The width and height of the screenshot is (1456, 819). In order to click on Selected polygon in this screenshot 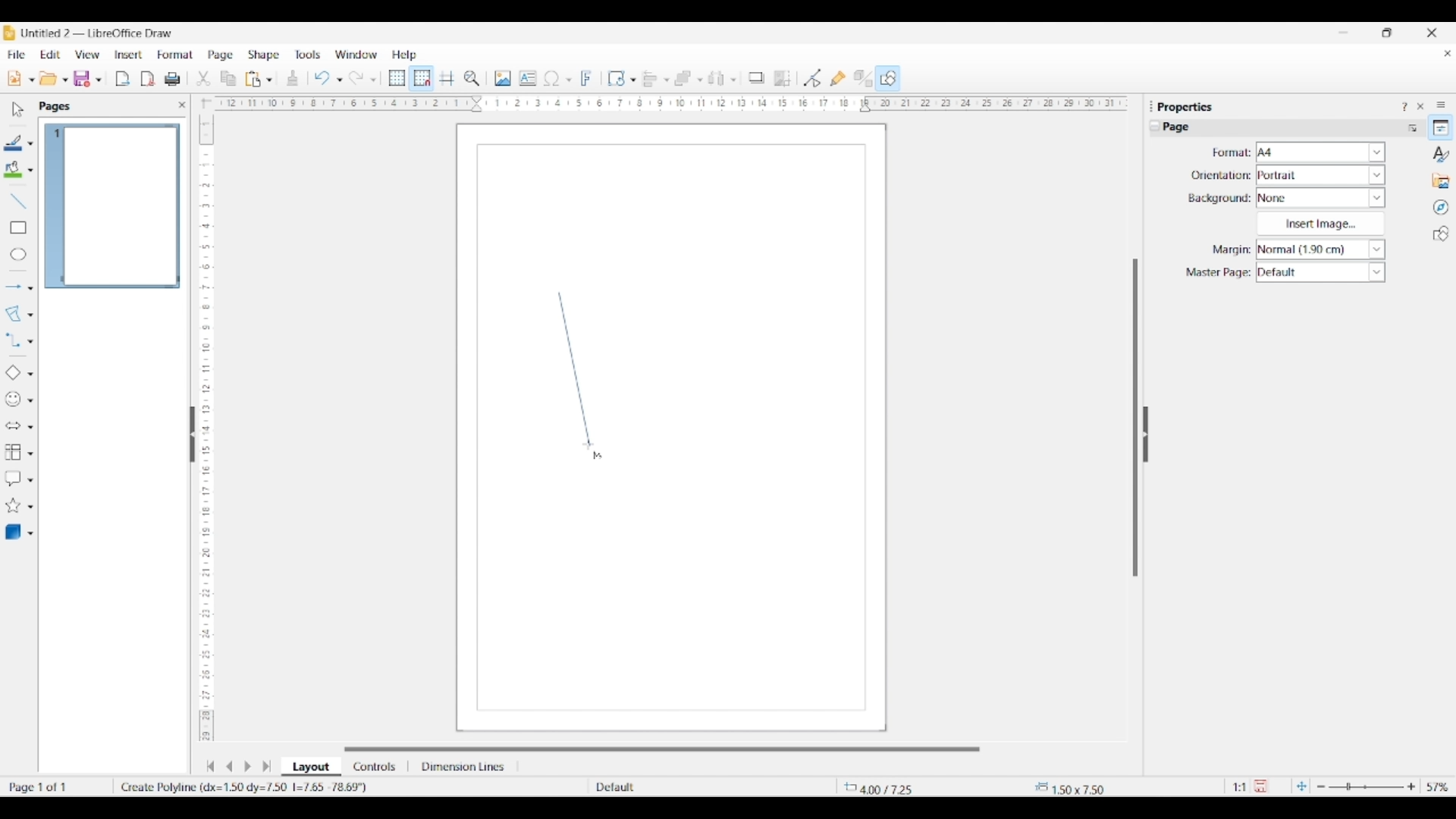, I will do `click(14, 314)`.